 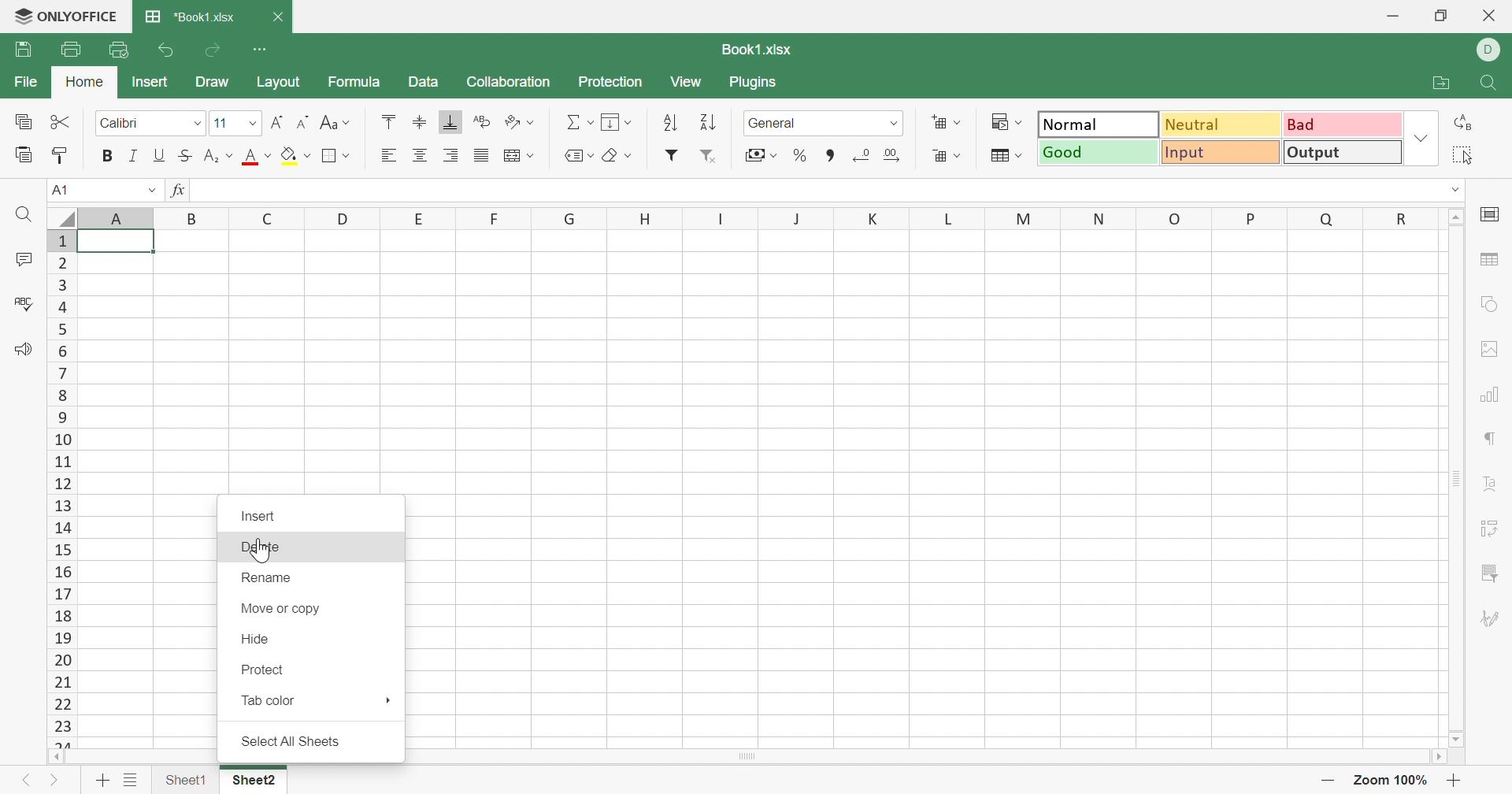 I want to click on Descending order, so click(x=712, y=121).